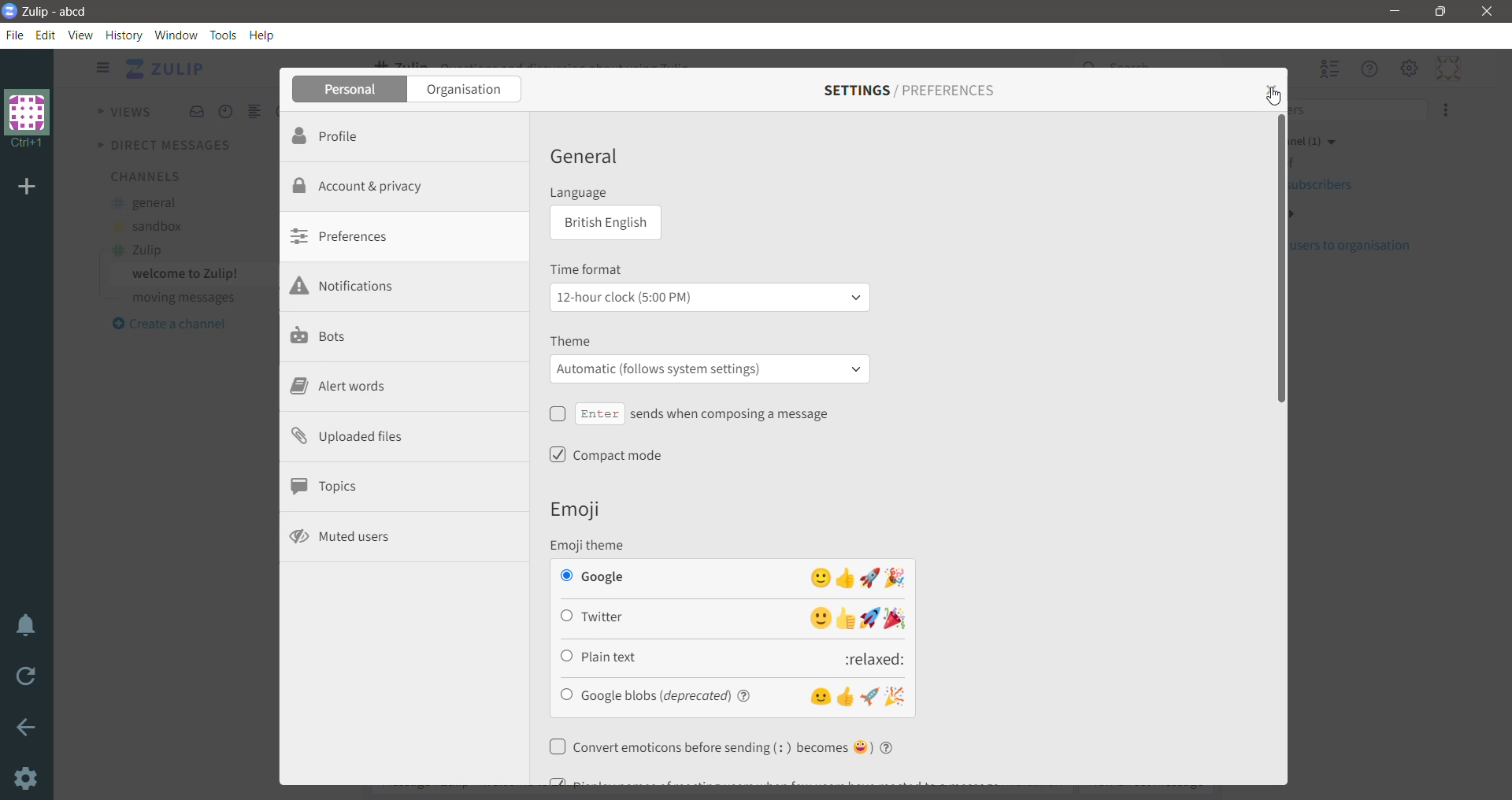 The width and height of the screenshot is (1512, 800). What do you see at coordinates (580, 510) in the screenshot?
I see `Emoji` at bounding box center [580, 510].